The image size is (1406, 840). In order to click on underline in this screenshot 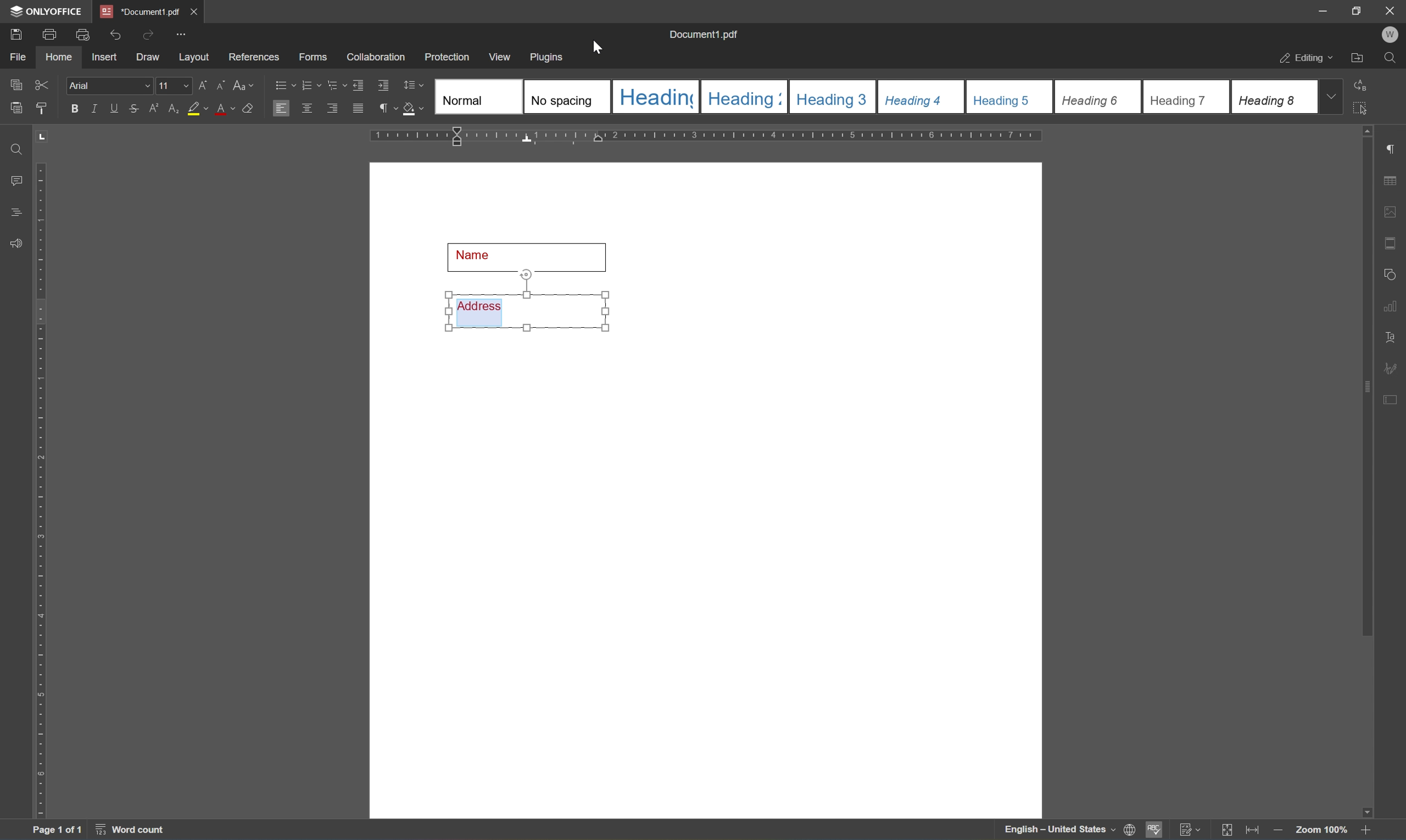, I will do `click(116, 109)`.